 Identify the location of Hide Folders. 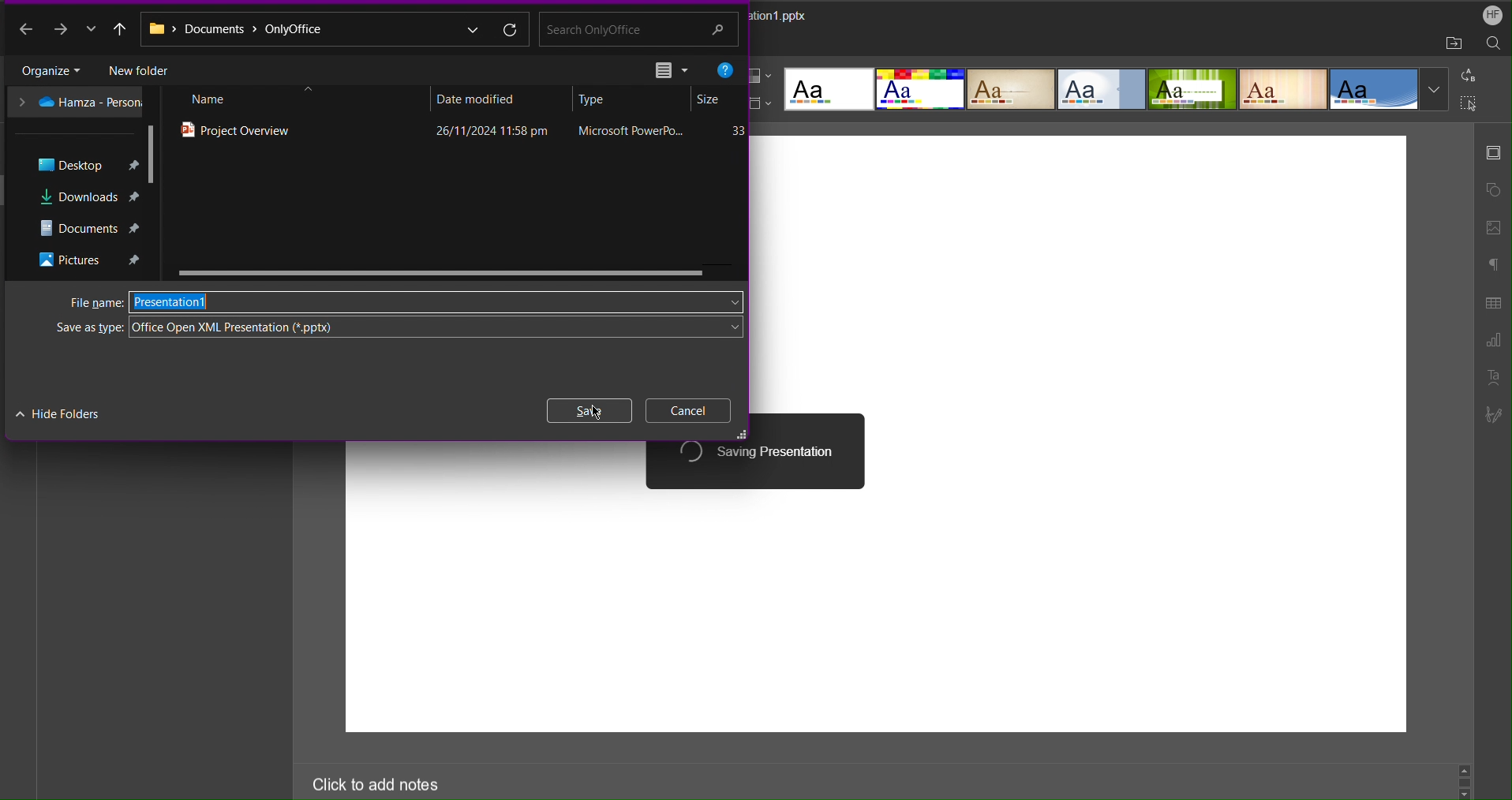
(65, 413).